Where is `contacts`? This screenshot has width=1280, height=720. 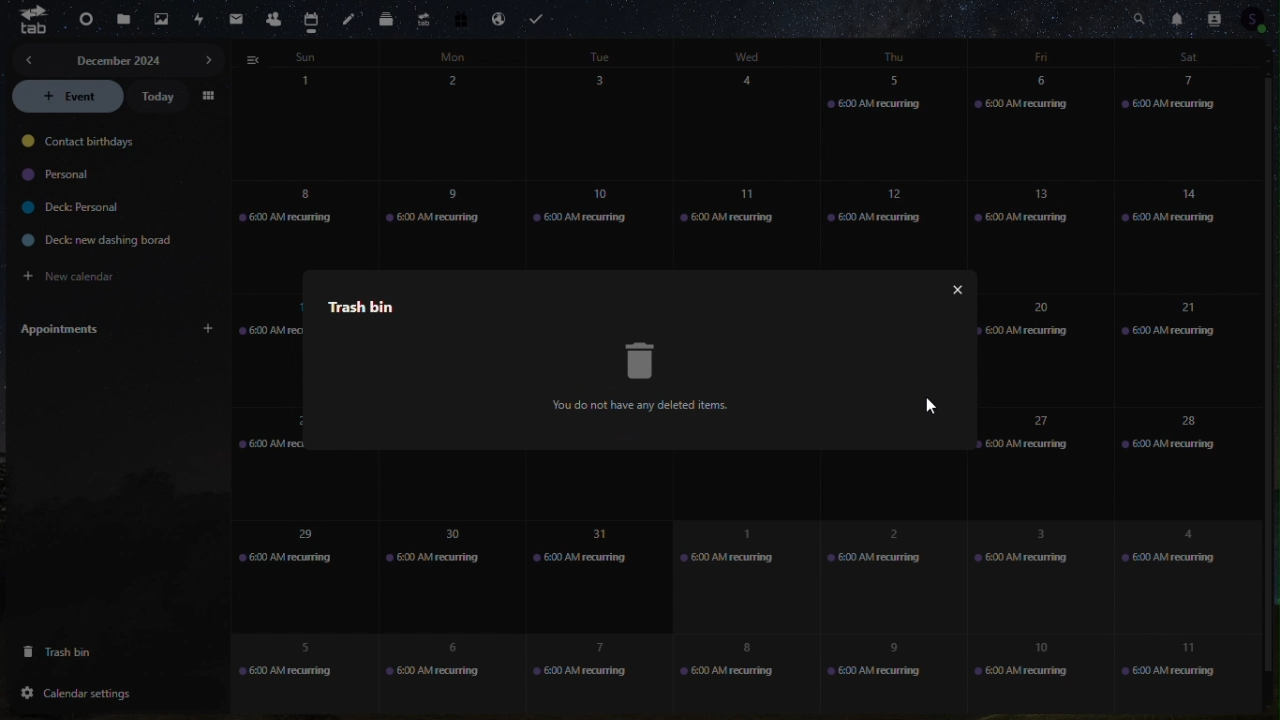
contacts is located at coordinates (1217, 17).